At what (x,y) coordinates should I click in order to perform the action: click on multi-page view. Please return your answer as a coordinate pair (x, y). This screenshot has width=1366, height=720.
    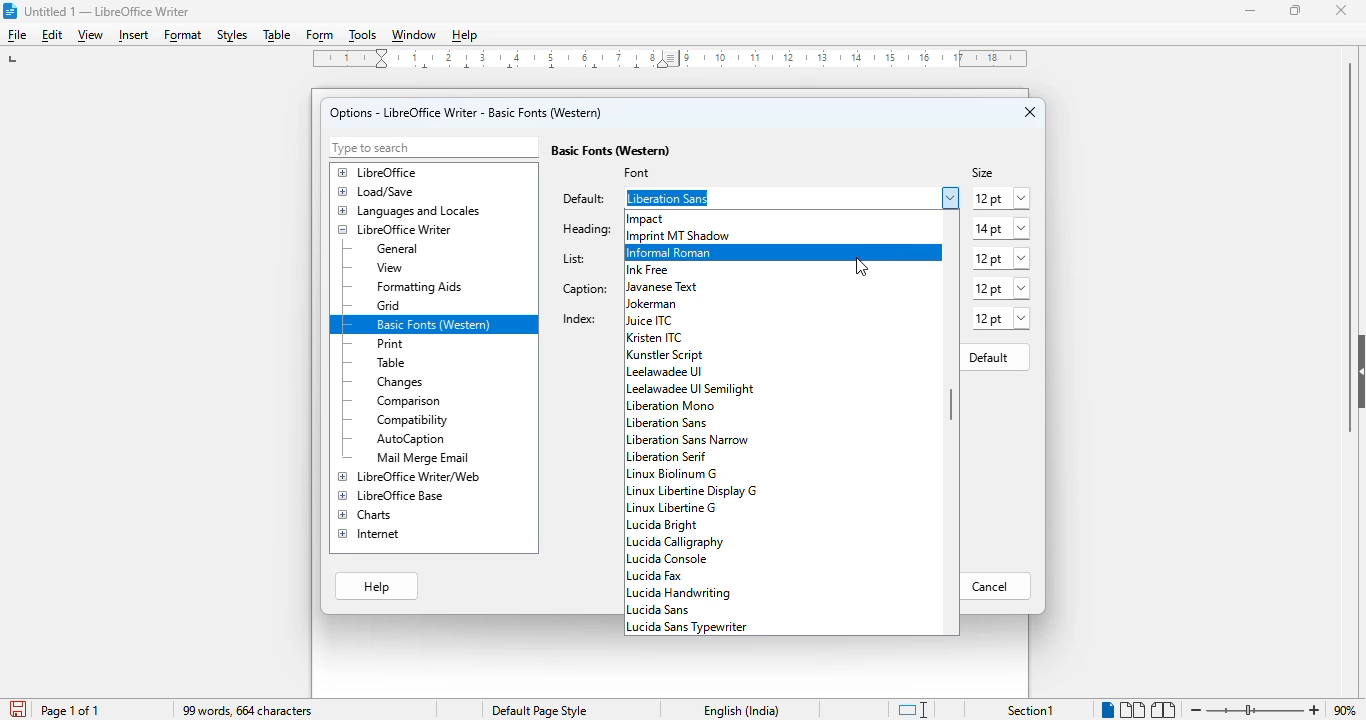
    Looking at the image, I should click on (1133, 710).